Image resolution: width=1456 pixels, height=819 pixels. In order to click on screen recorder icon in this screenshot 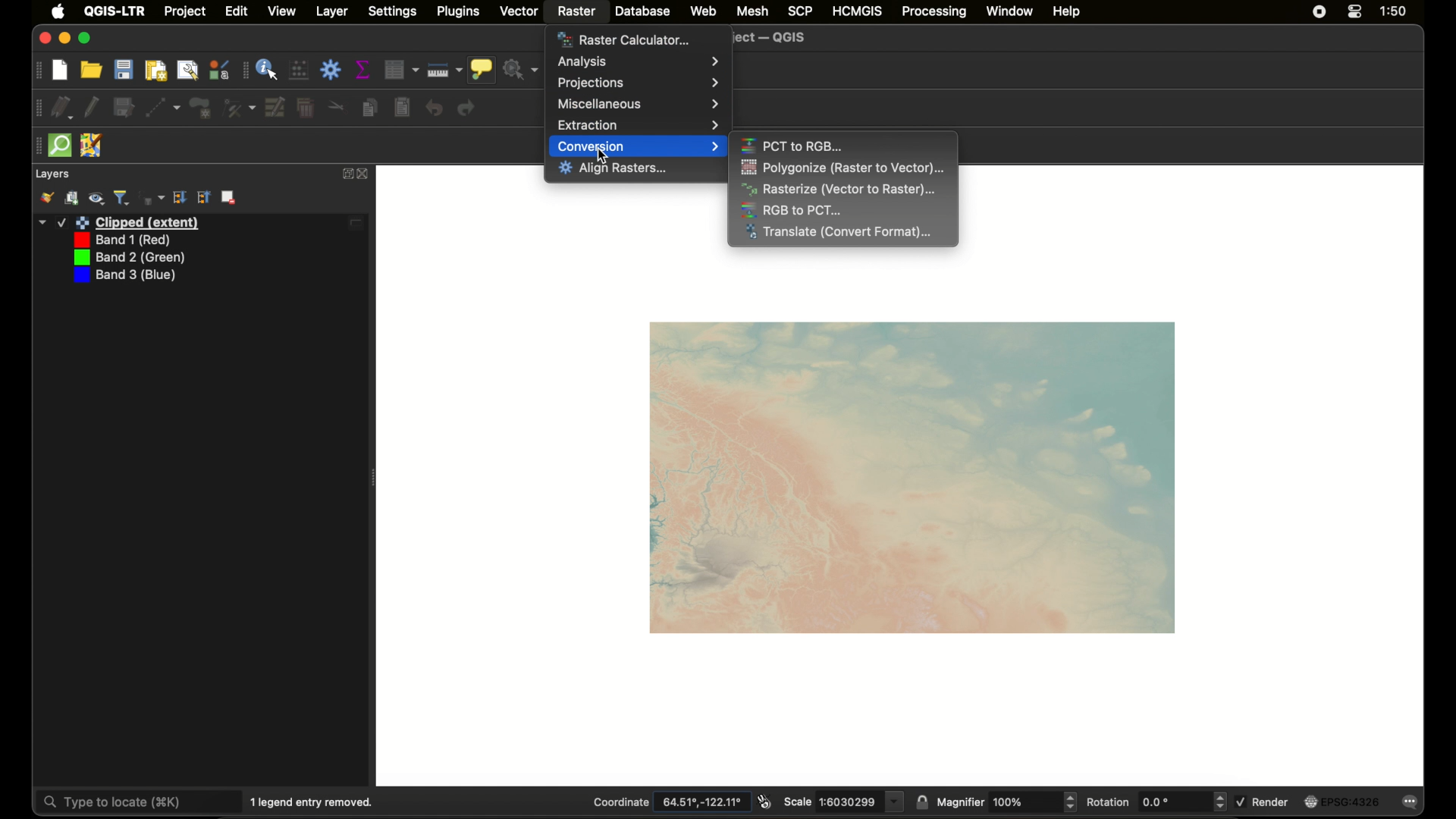, I will do `click(1319, 12)`.